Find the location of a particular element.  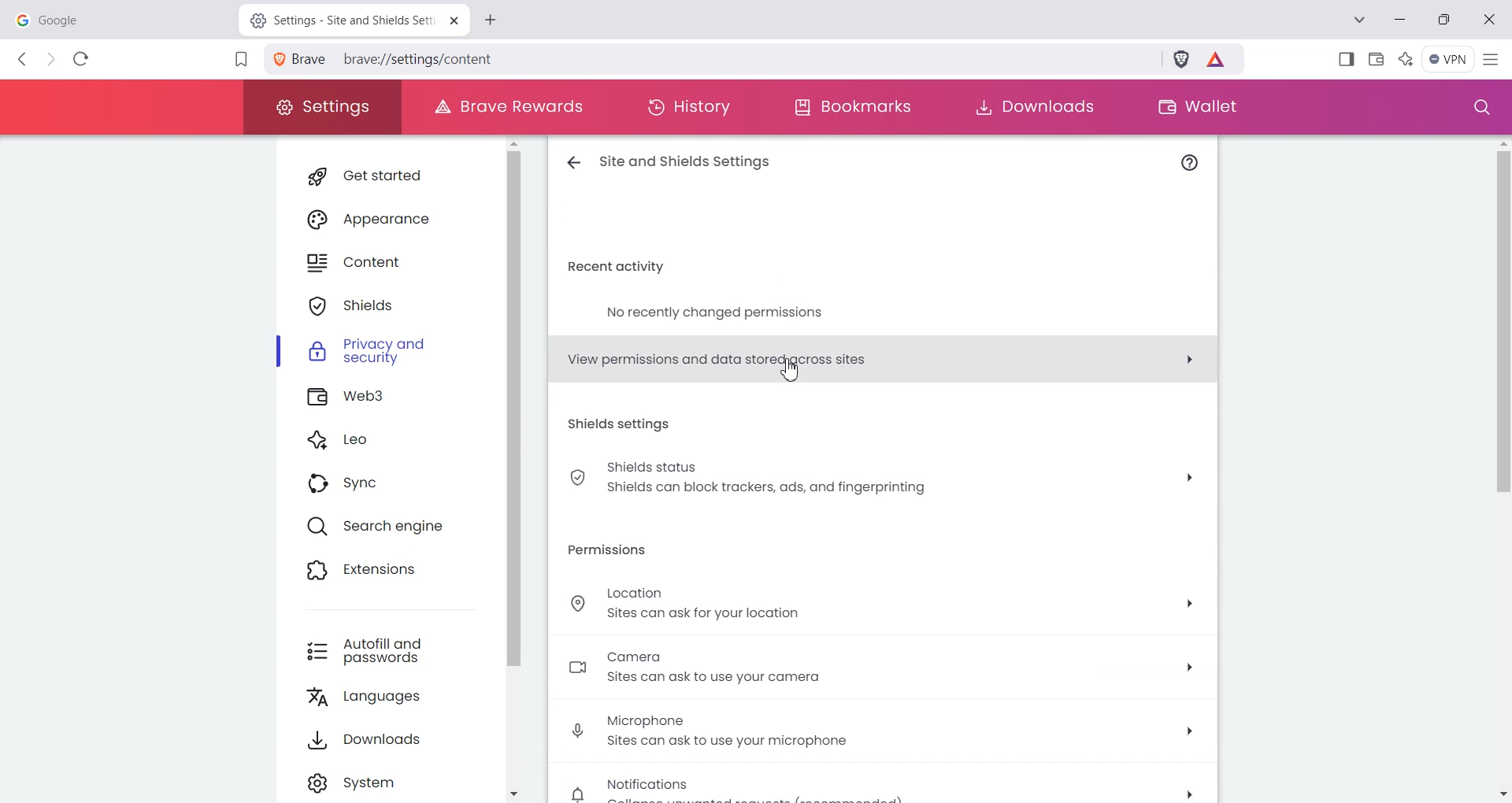

google is located at coordinates (118, 18).